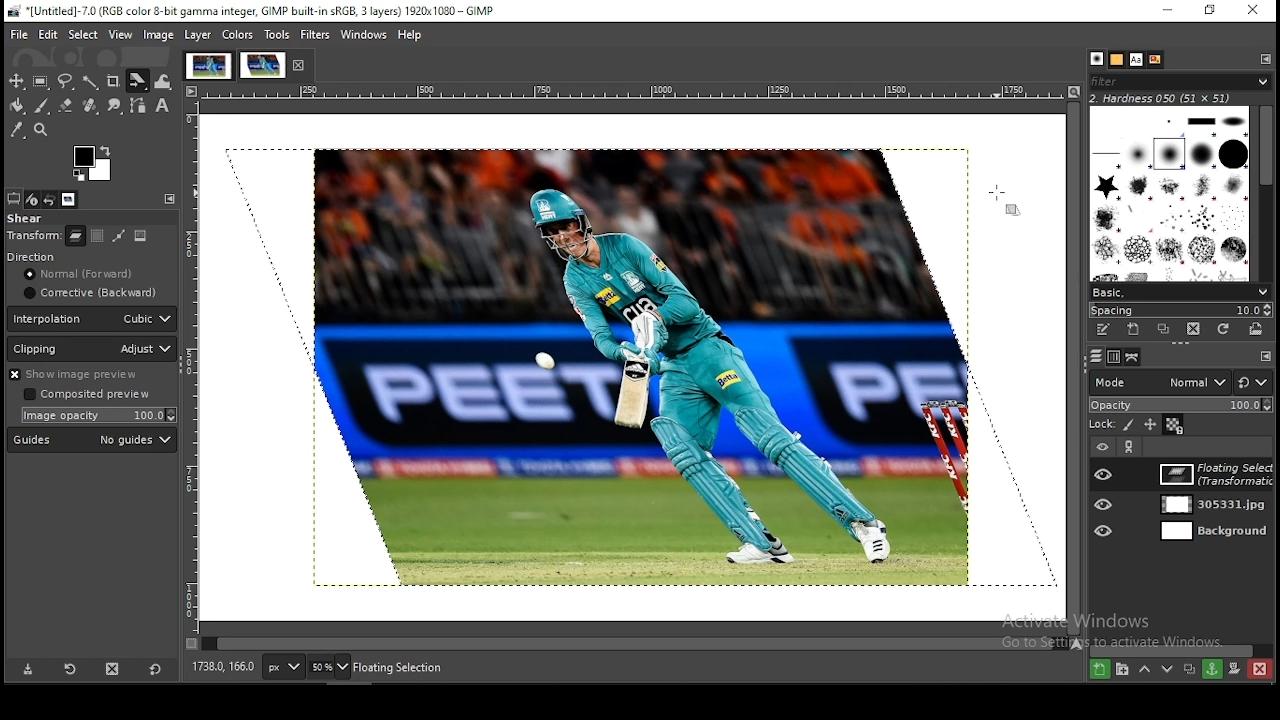 Image resolution: width=1280 pixels, height=720 pixels. What do you see at coordinates (13, 199) in the screenshot?
I see `tool options` at bounding box center [13, 199].